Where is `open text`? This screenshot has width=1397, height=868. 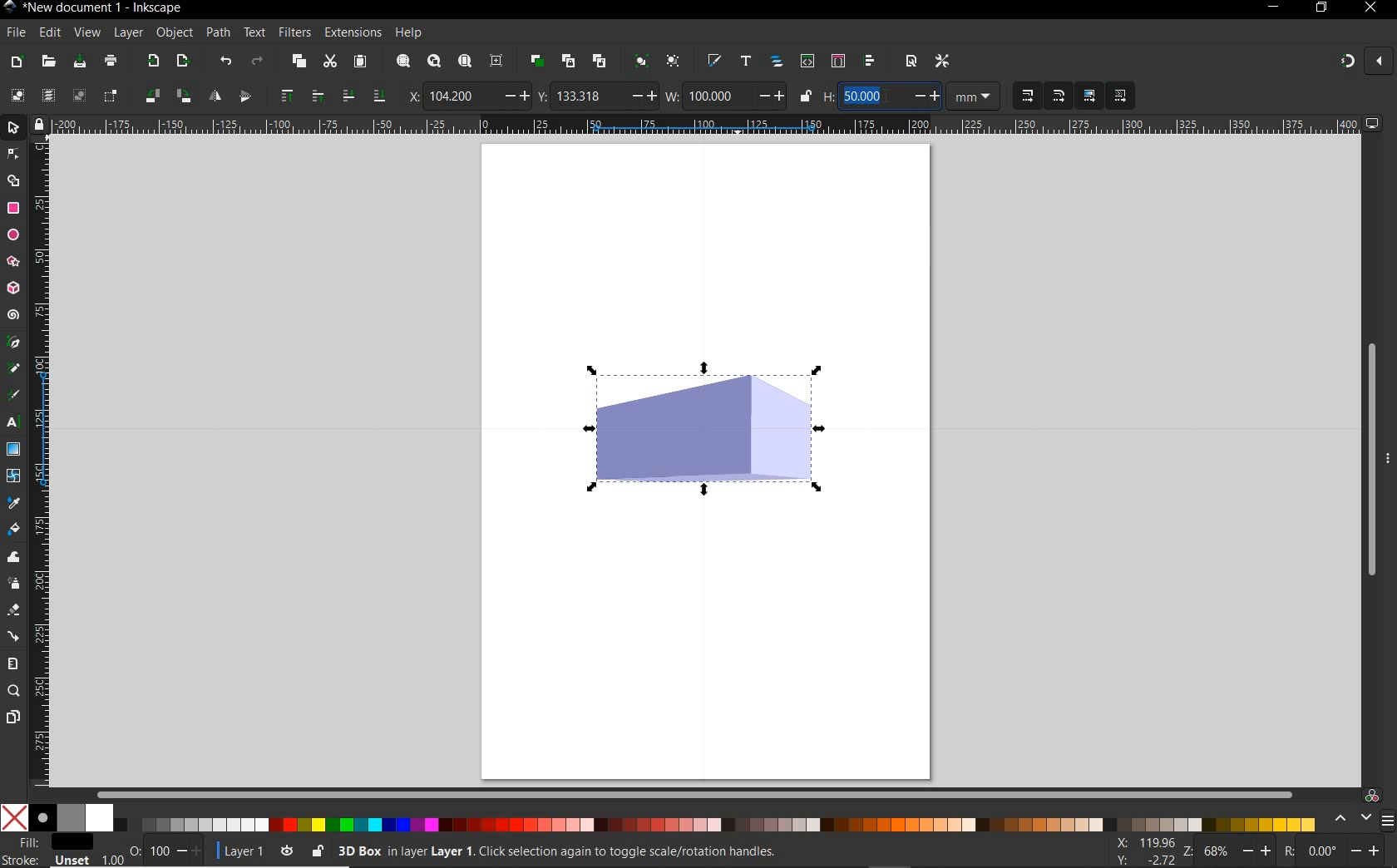 open text is located at coordinates (745, 62).